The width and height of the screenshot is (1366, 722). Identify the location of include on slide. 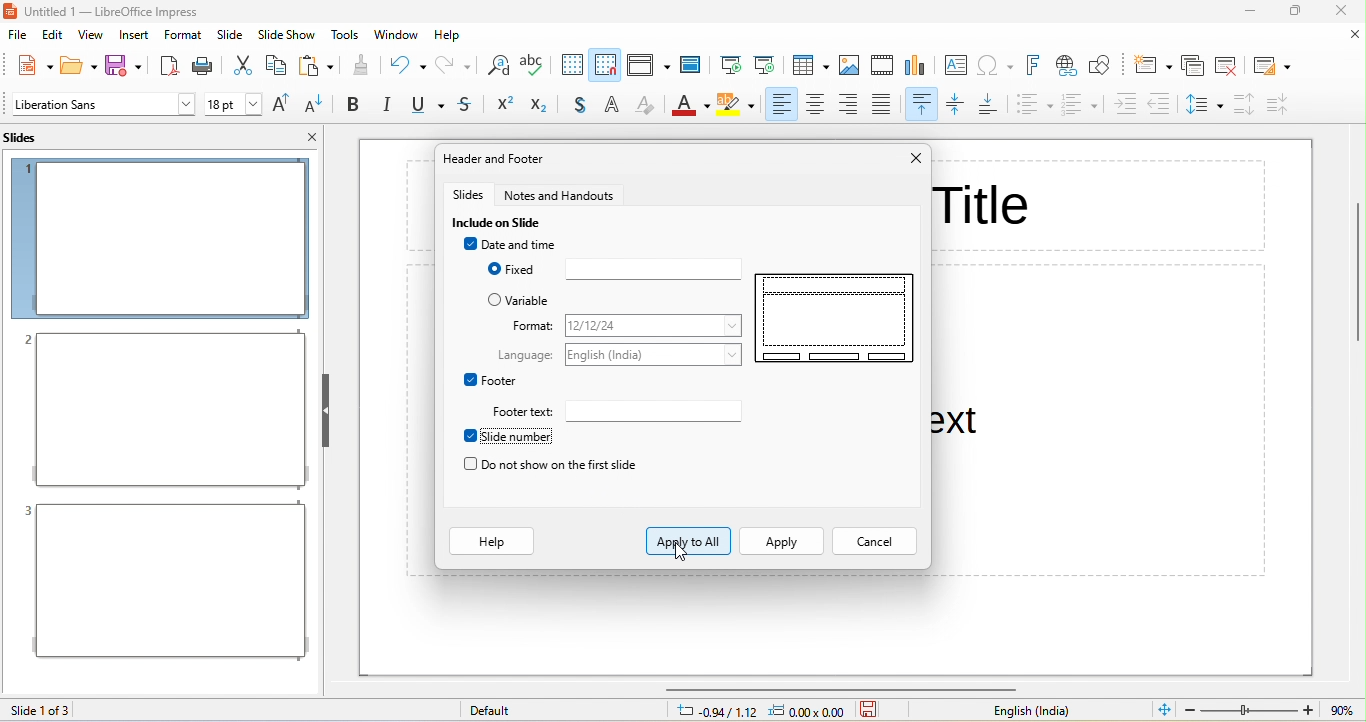
(502, 222).